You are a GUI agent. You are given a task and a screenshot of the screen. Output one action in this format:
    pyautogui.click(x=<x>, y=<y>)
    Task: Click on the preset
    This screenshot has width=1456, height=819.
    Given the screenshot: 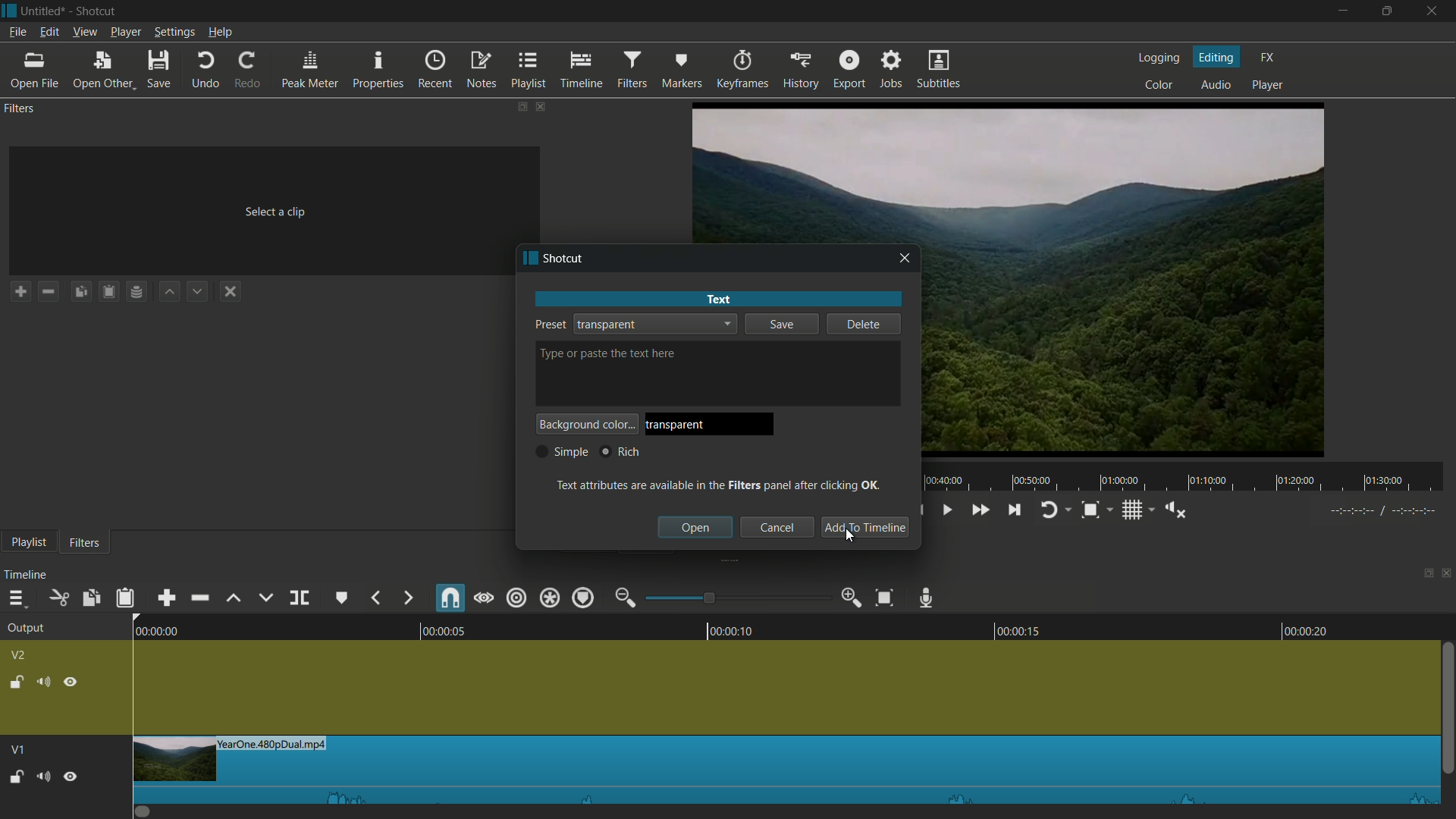 What is the action you would take?
    pyautogui.click(x=548, y=324)
    